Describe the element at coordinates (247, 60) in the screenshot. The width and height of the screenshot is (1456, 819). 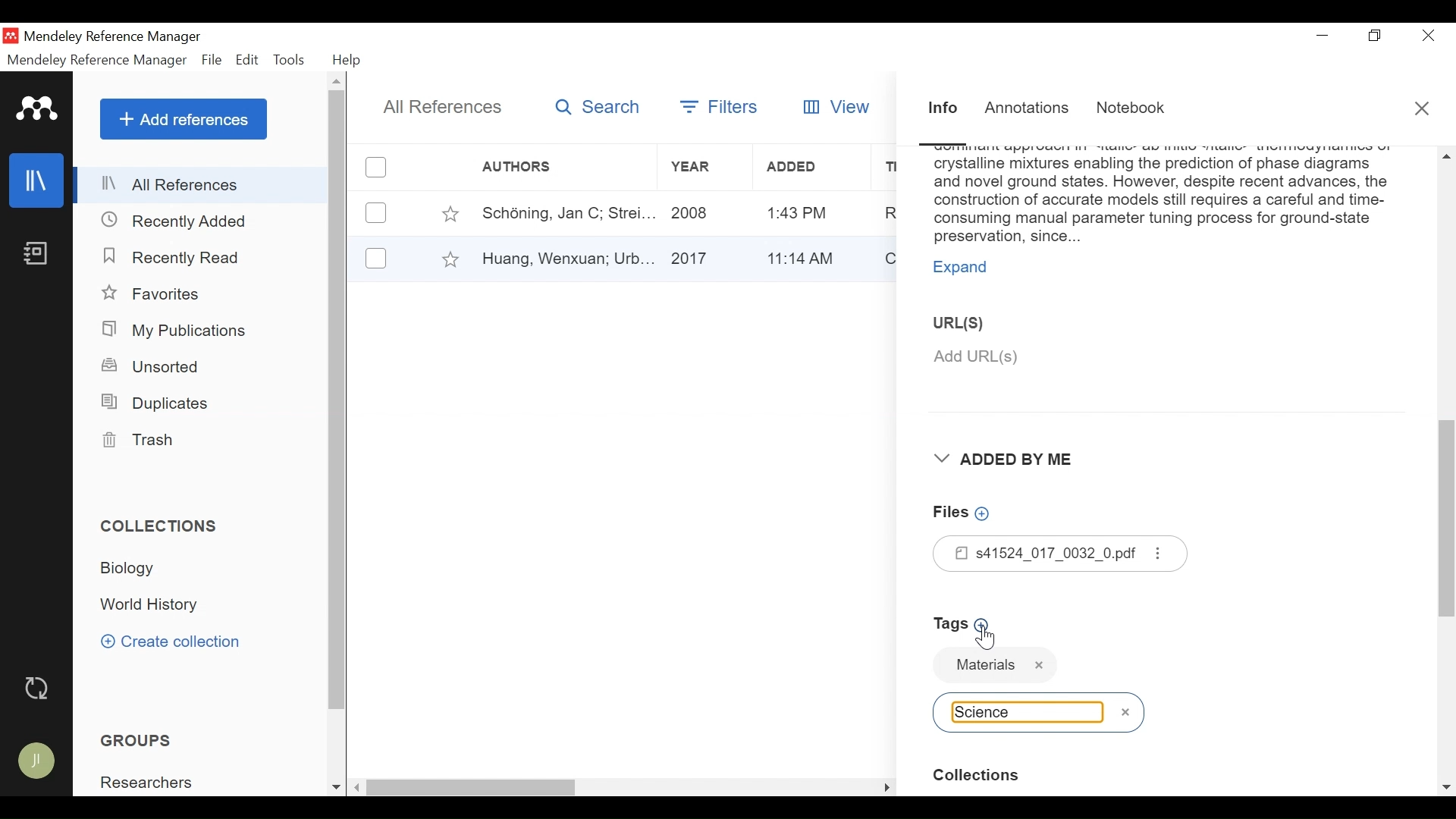
I see `Edit` at that location.